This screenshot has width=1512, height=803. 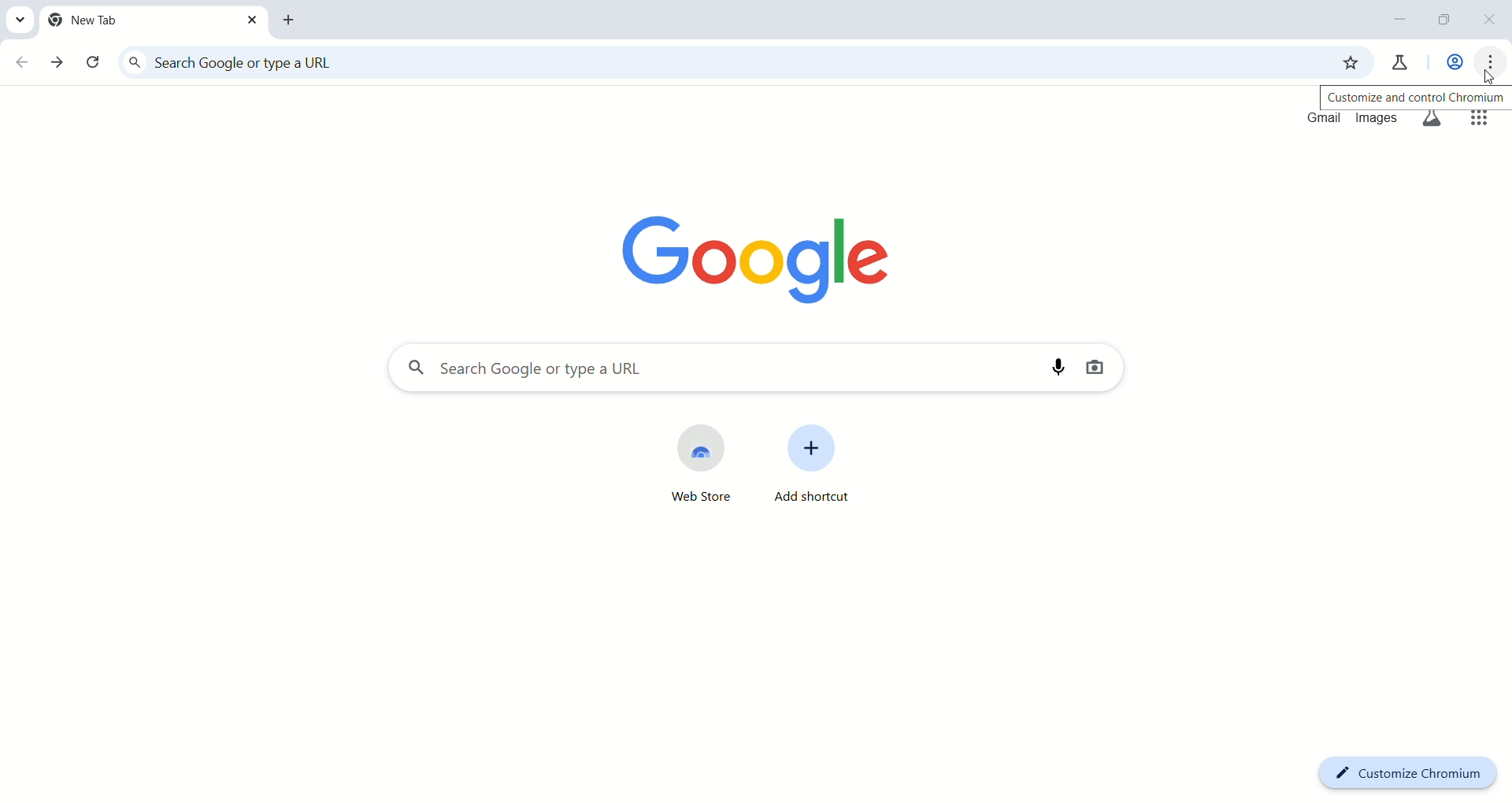 I want to click on gmail, so click(x=1322, y=120).